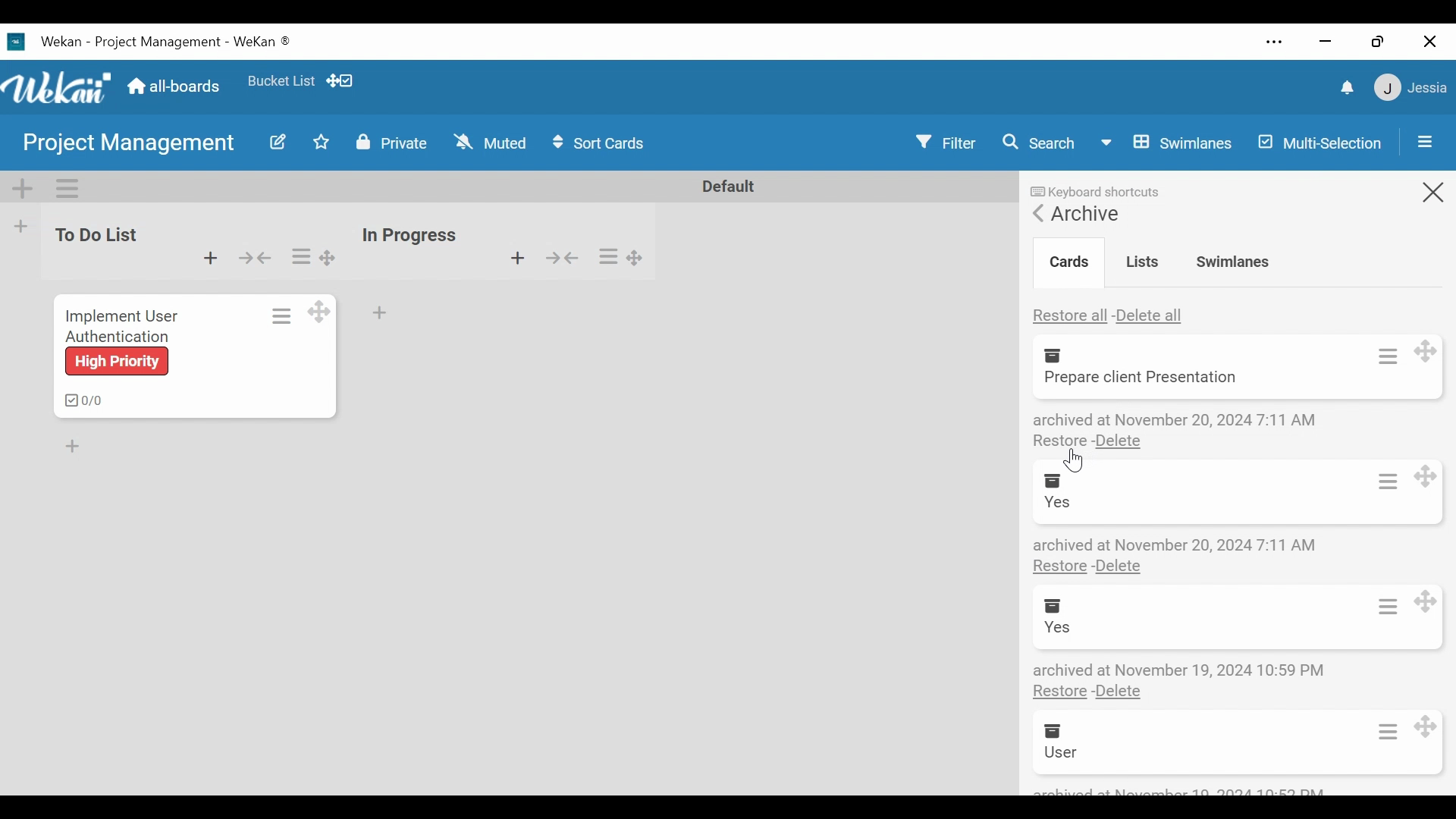 Image resolution: width=1456 pixels, height=819 pixels. I want to click on wekan logo, so click(59, 89).